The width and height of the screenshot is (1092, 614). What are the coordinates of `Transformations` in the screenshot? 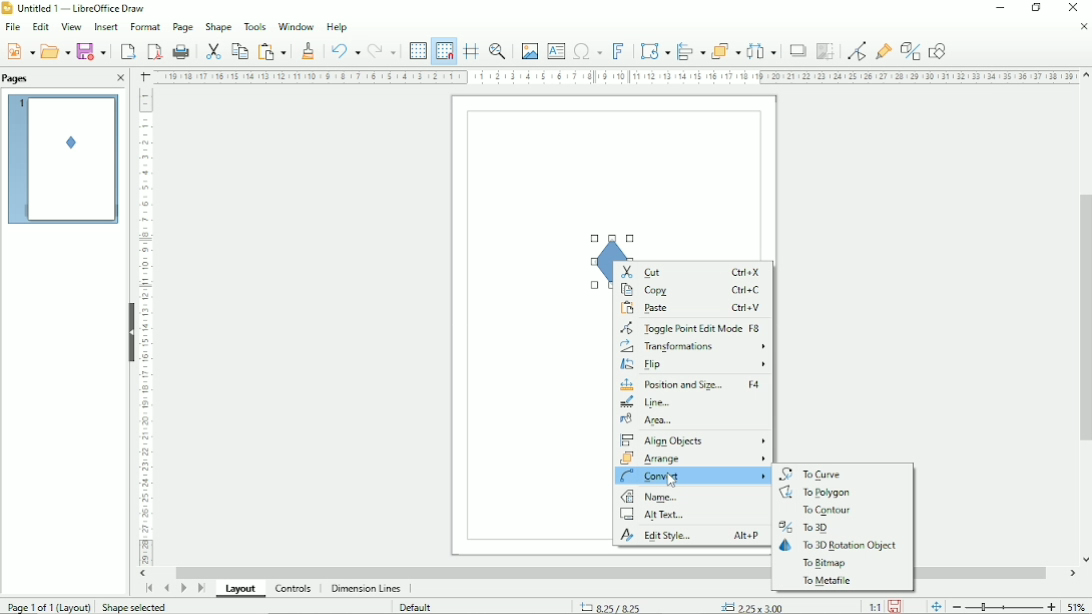 It's located at (693, 348).